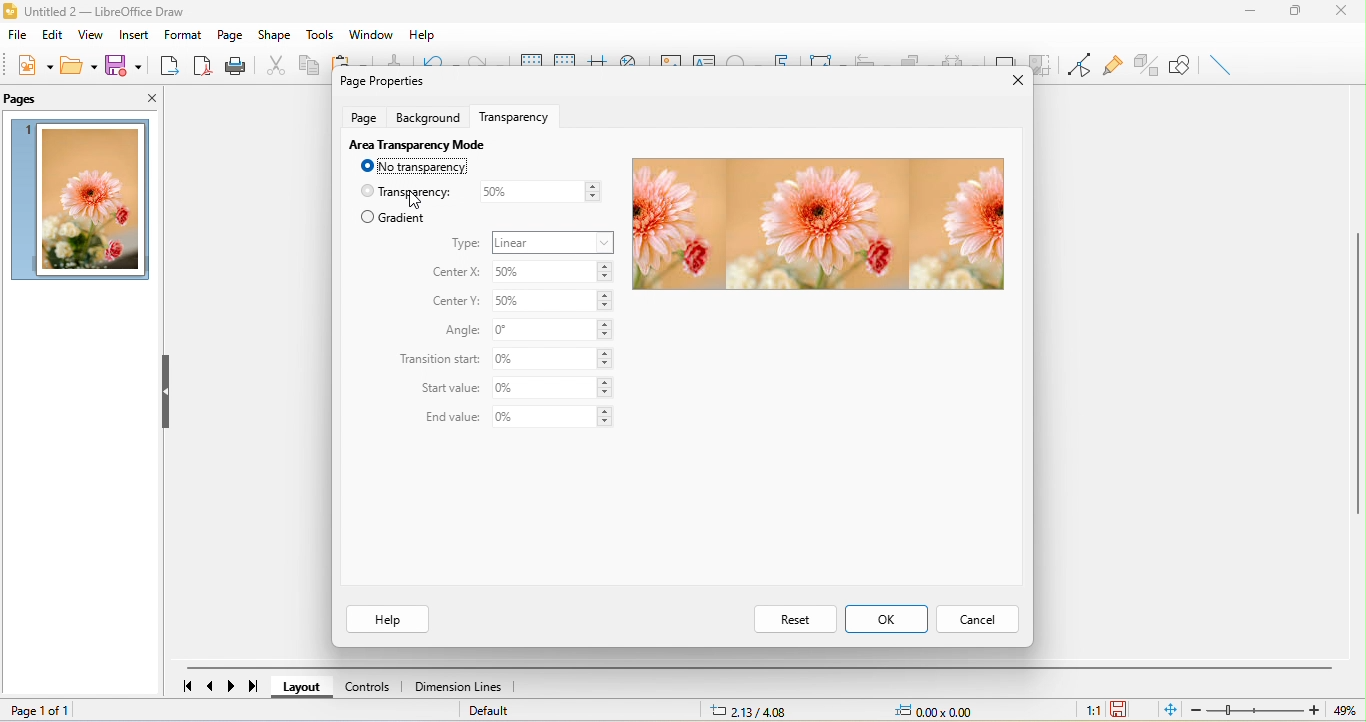  What do you see at coordinates (184, 34) in the screenshot?
I see `format` at bounding box center [184, 34].